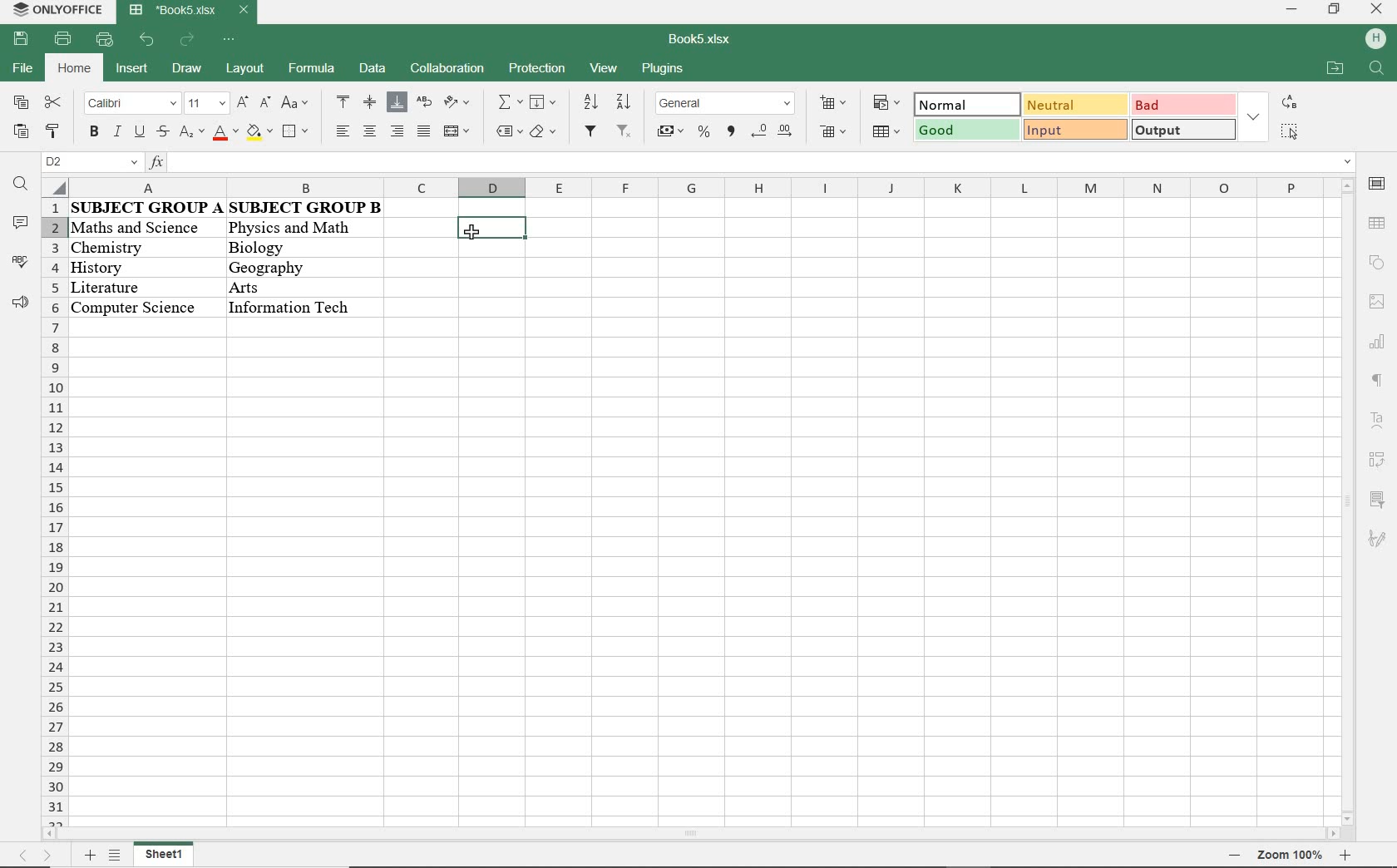 The height and width of the screenshot is (868, 1397). What do you see at coordinates (1376, 460) in the screenshot?
I see `sign` at bounding box center [1376, 460].